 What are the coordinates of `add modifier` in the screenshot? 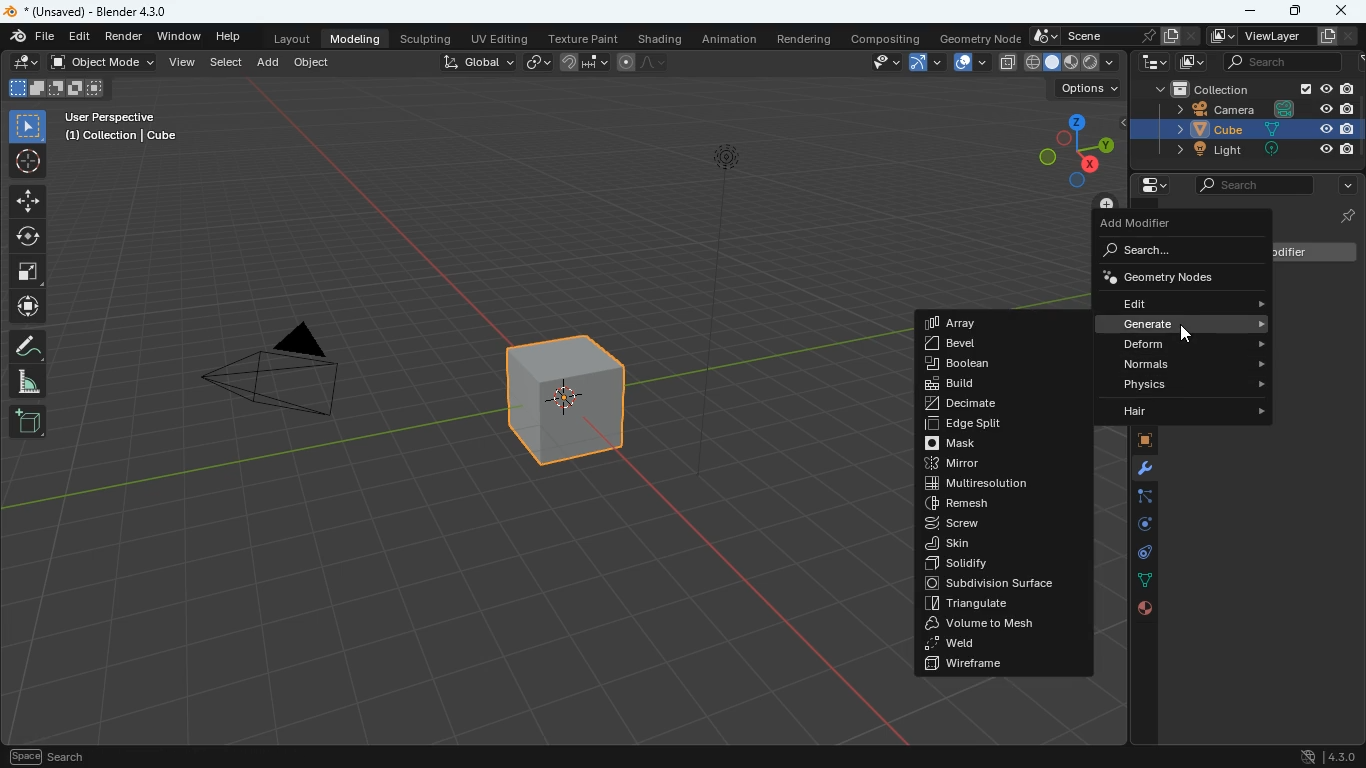 It's located at (1147, 225).